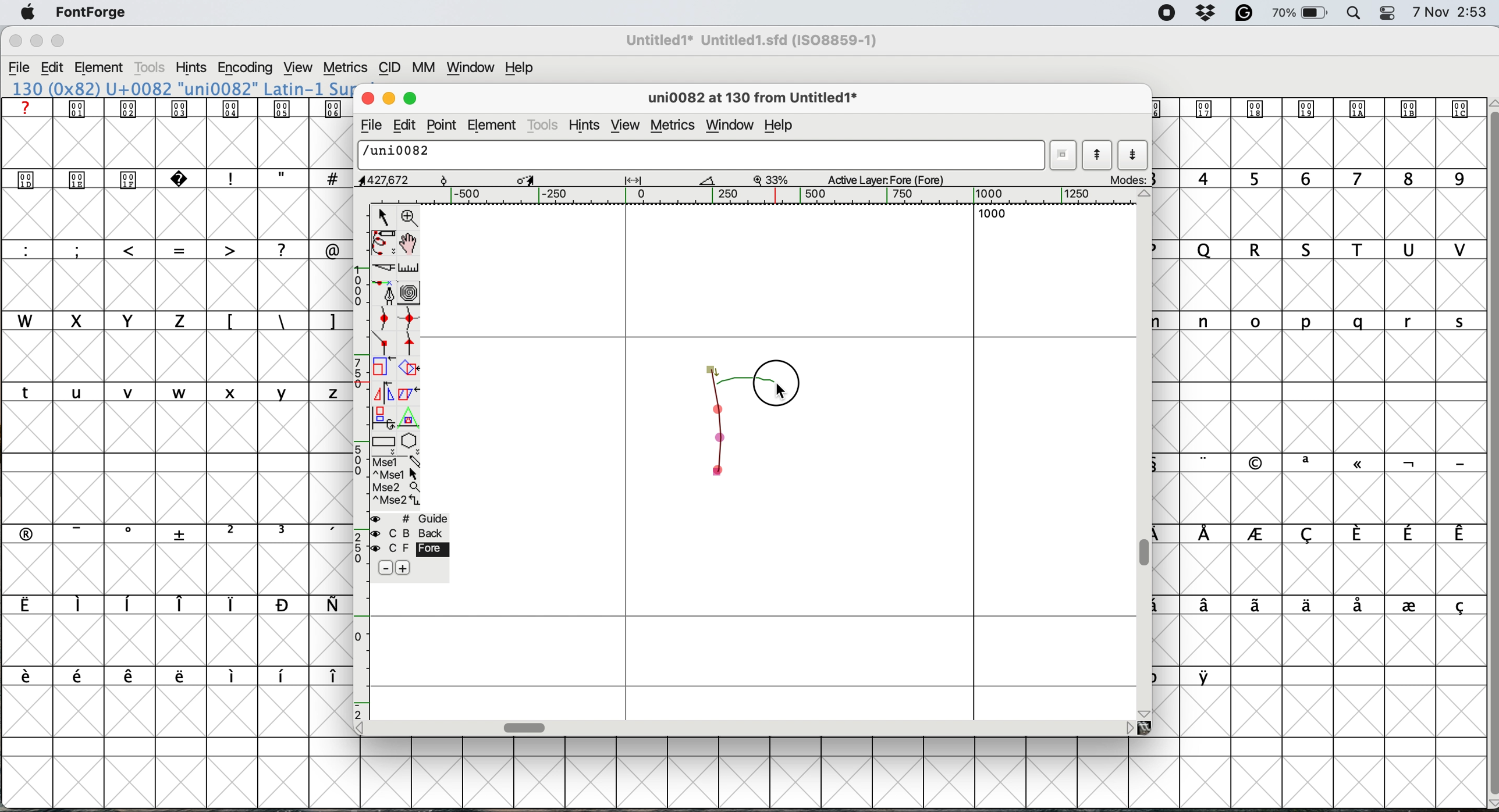 Image resolution: width=1499 pixels, height=812 pixels. What do you see at coordinates (588, 126) in the screenshot?
I see `hints` at bounding box center [588, 126].